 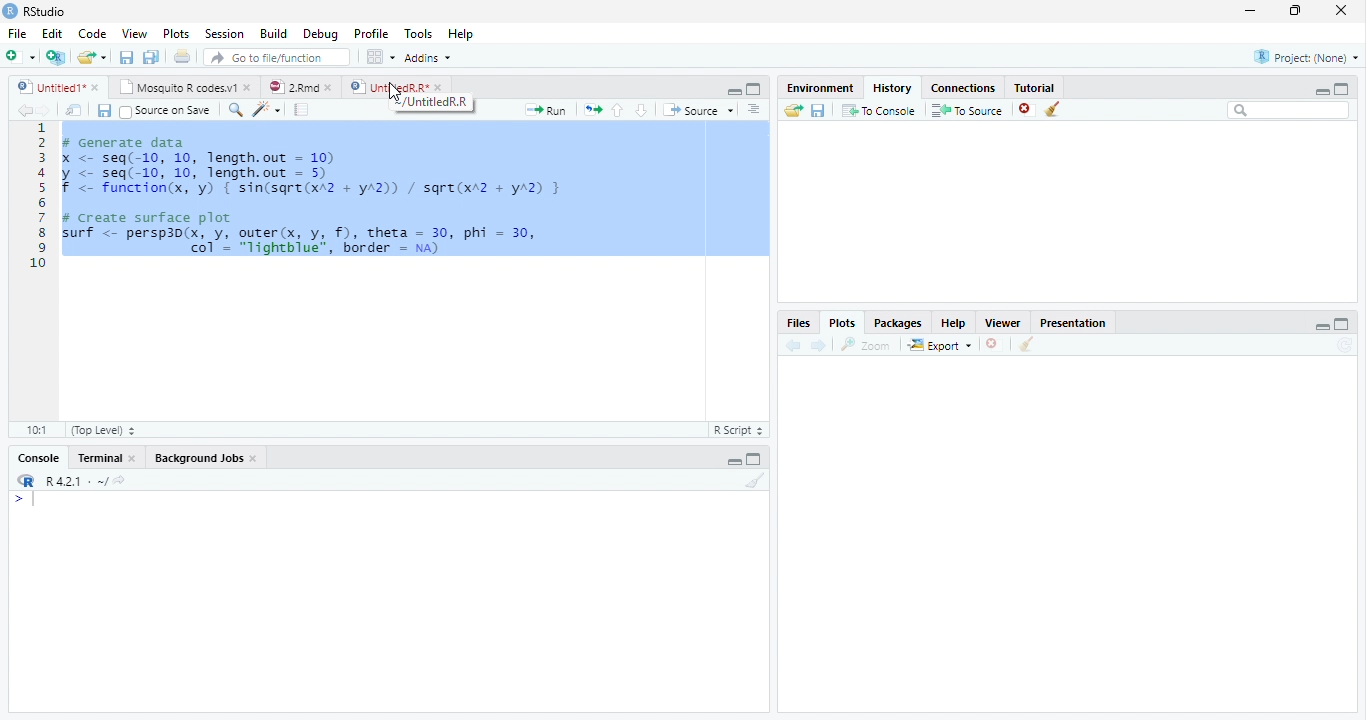 What do you see at coordinates (734, 461) in the screenshot?
I see `Minimize` at bounding box center [734, 461].